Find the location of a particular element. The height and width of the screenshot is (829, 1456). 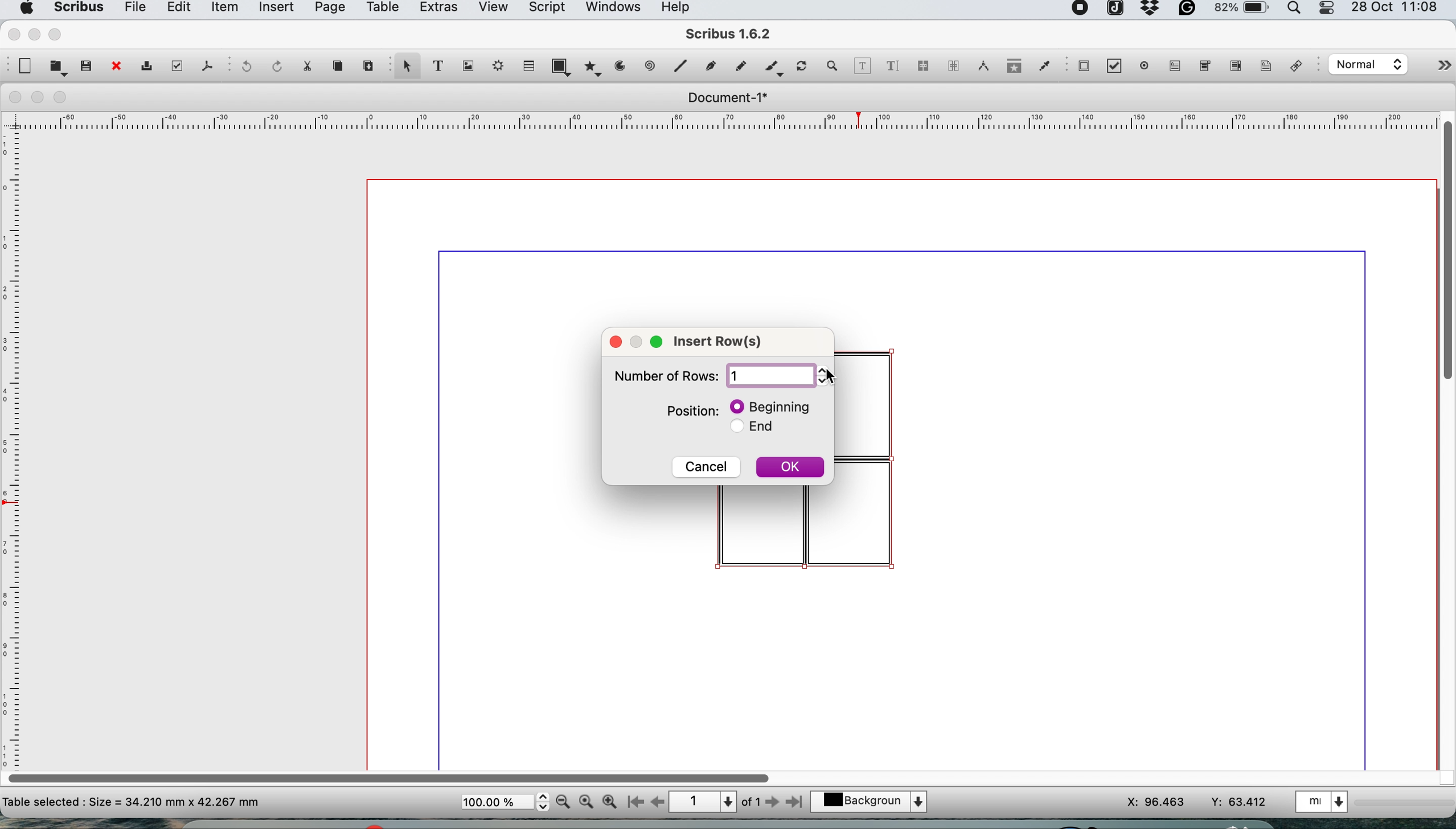

screen recorder is located at coordinates (1081, 10).